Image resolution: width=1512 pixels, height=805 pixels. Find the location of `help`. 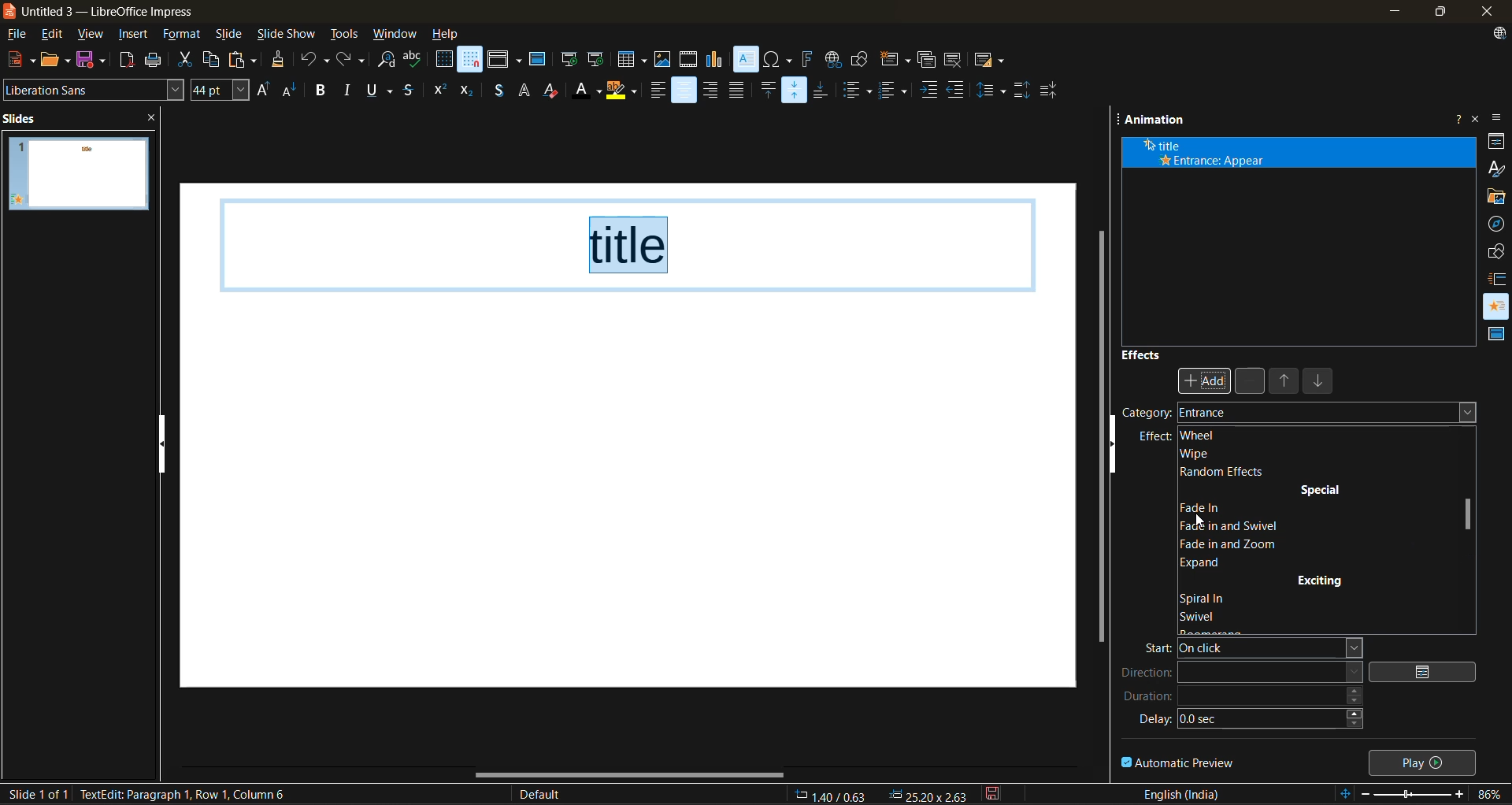

help is located at coordinates (447, 35).